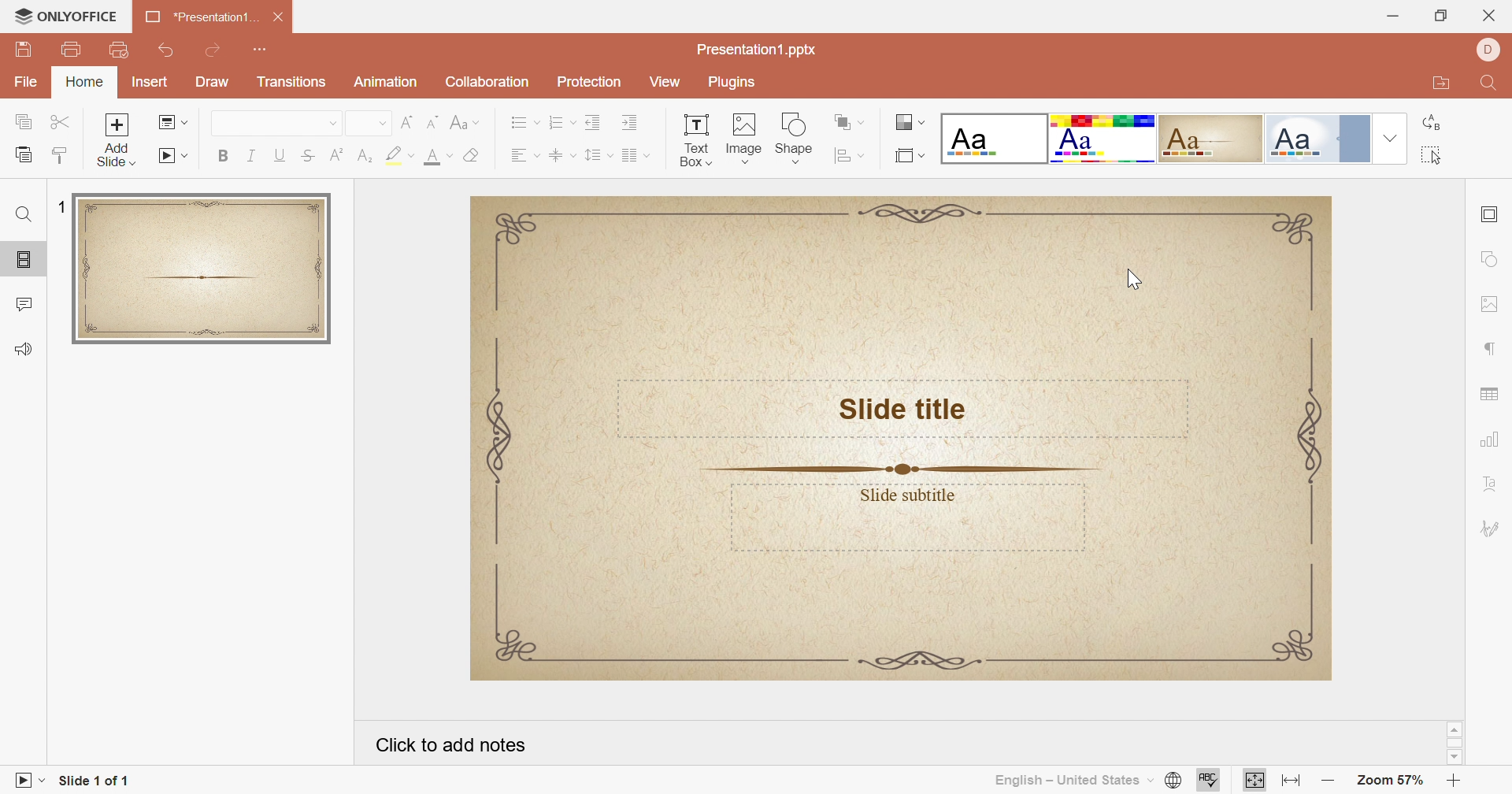 The image size is (1512, 794). What do you see at coordinates (24, 152) in the screenshot?
I see `Paste` at bounding box center [24, 152].